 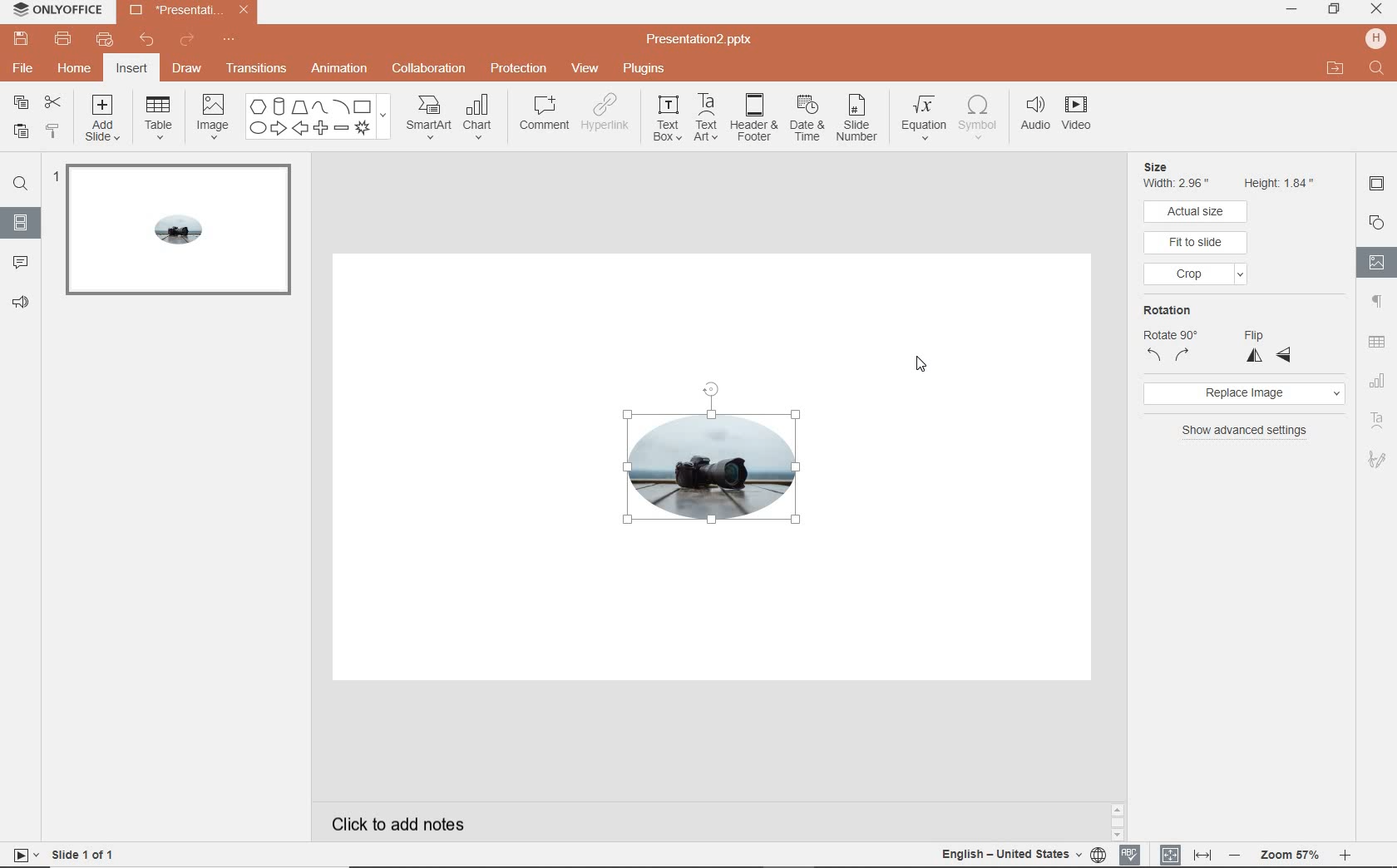 What do you see at coordinates (21, 101) in the screenshot?
I see `copy` at bounding box center [21, 101].